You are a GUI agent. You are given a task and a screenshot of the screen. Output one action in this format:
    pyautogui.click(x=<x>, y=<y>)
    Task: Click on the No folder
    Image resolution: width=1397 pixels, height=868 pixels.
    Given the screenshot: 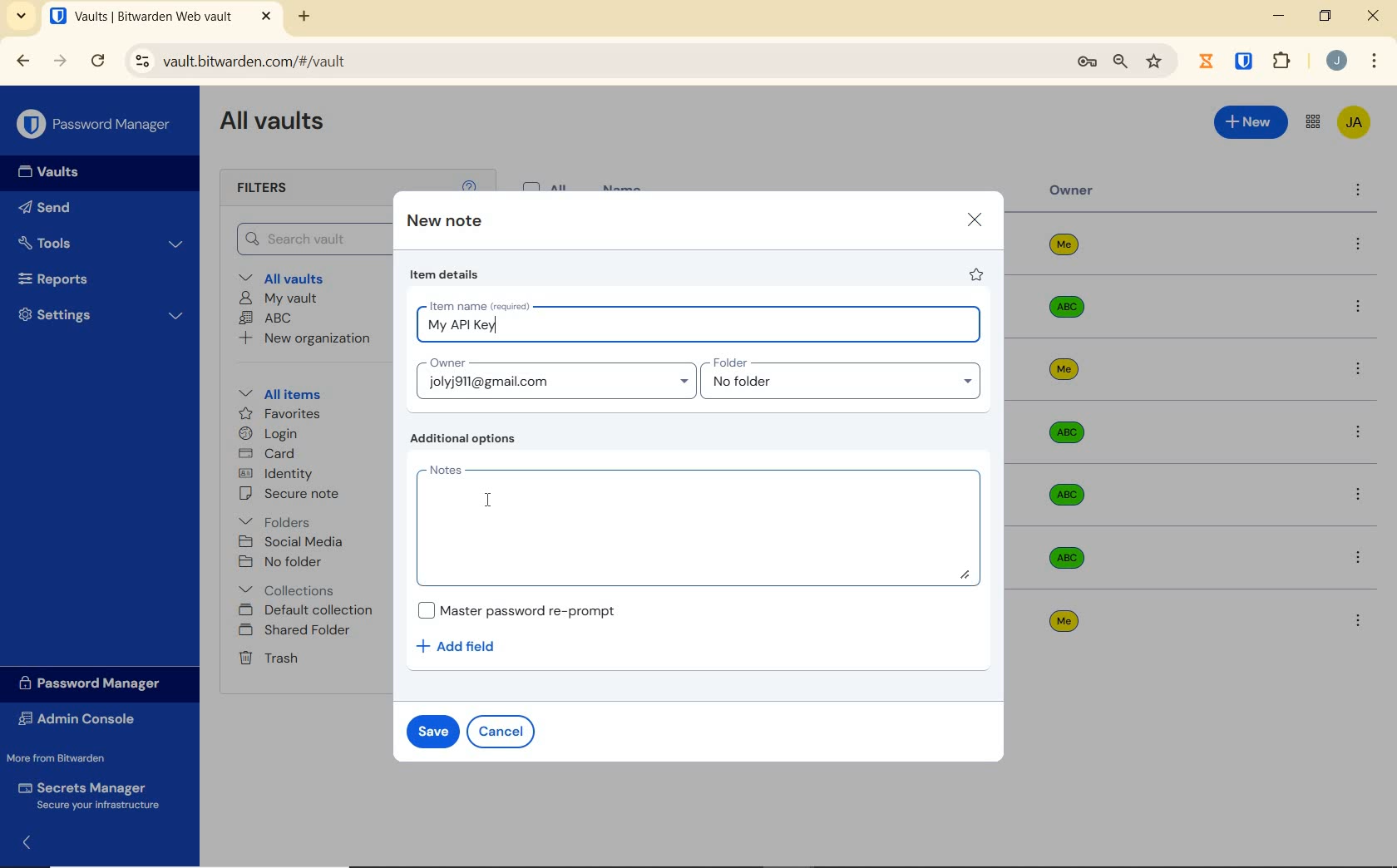 What is the action you would take?
    pyautogui.click(x=284, y=562)
    